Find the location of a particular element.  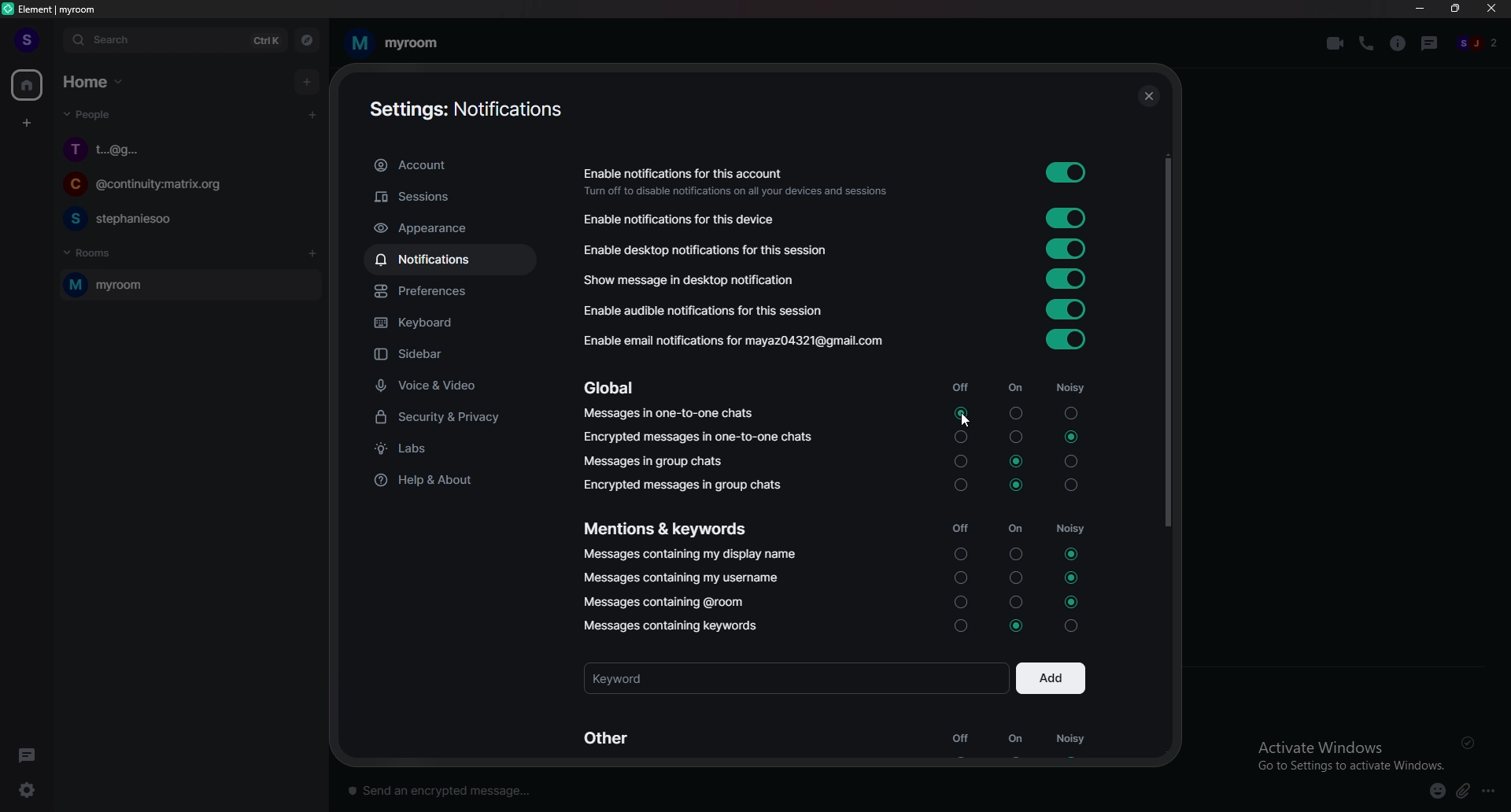

text input is located at coordinates (784, 788).